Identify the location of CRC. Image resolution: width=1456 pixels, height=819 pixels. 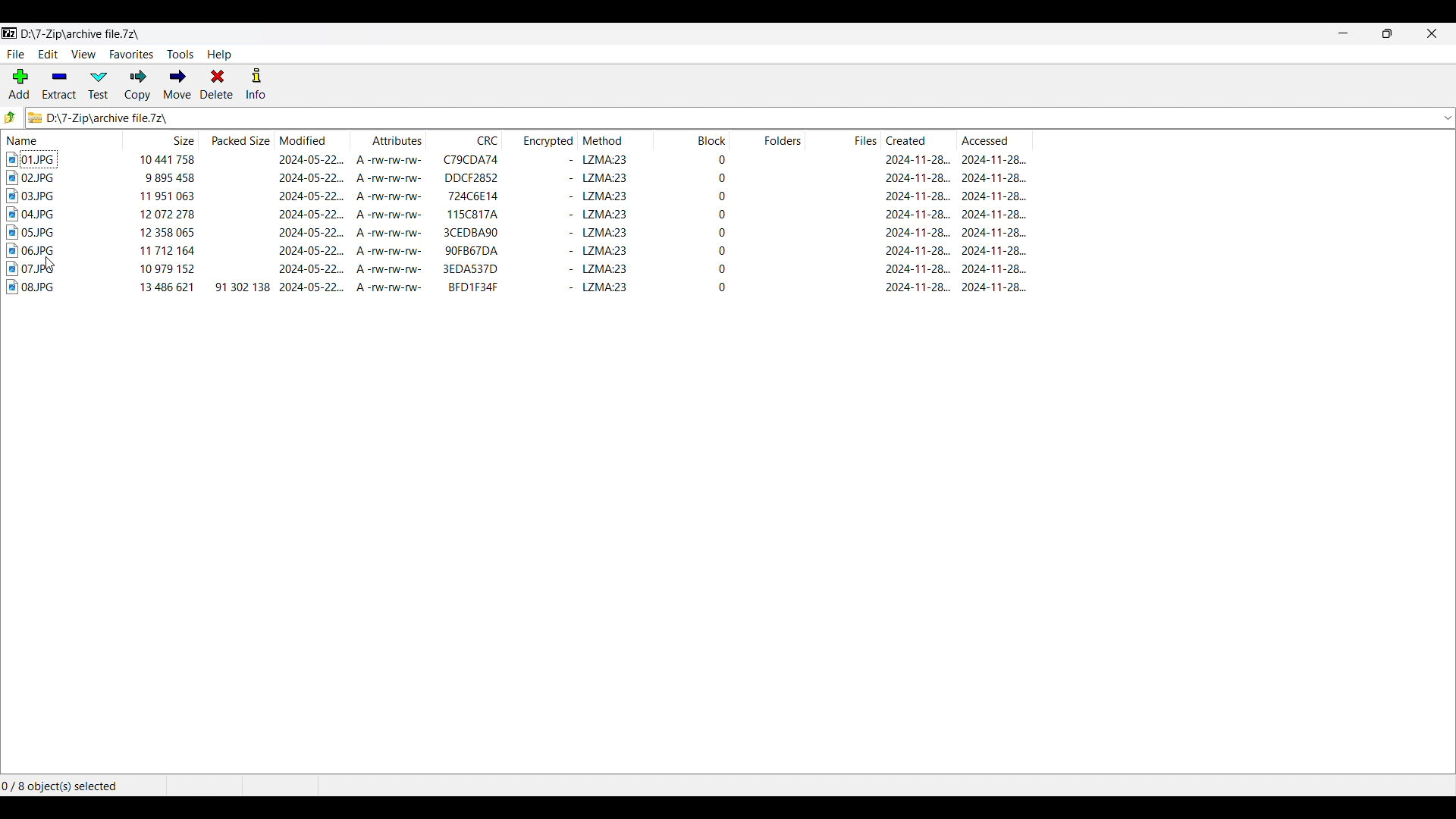
(471, 177).